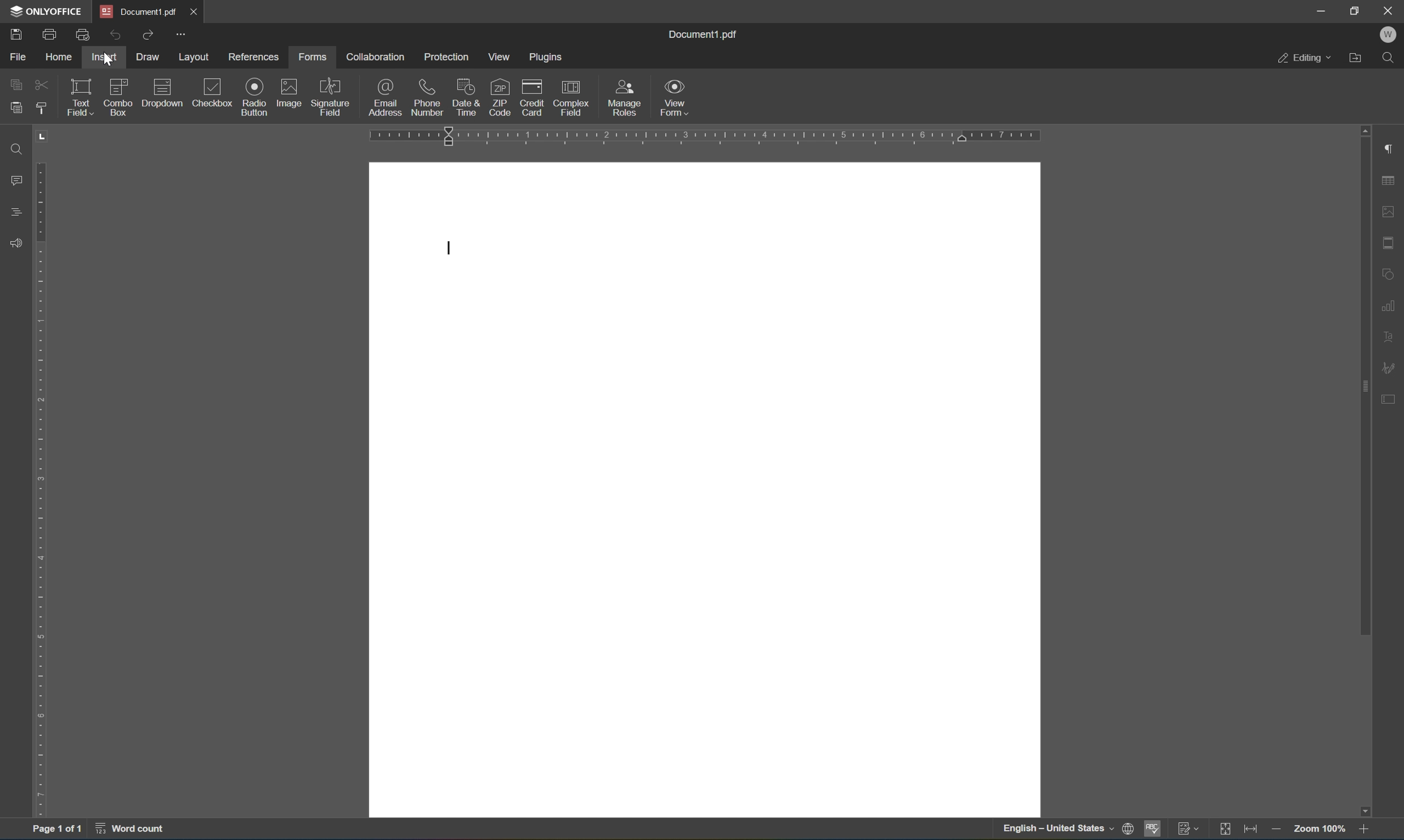 The width and height of the screenshot is (1404, 840). I want to click on forms, so click(313, 57).